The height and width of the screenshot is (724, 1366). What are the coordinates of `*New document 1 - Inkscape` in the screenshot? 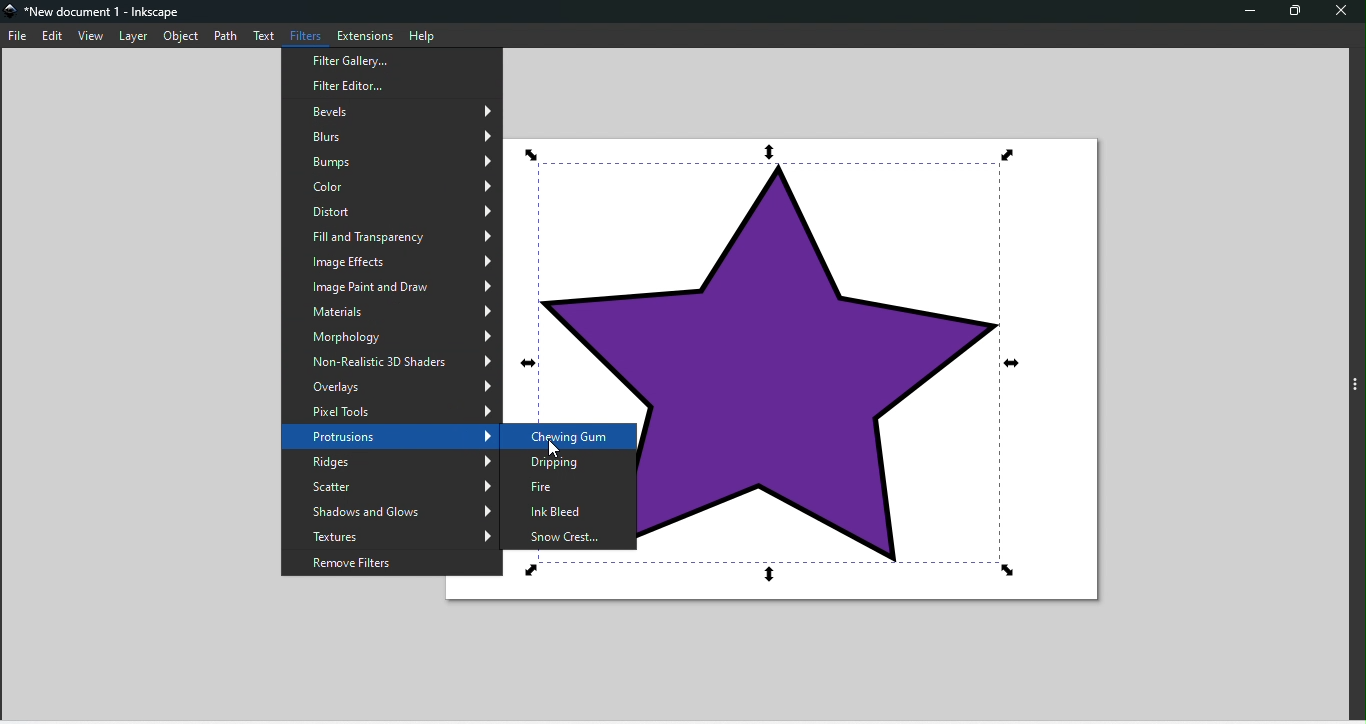 It's located at (105, 13).